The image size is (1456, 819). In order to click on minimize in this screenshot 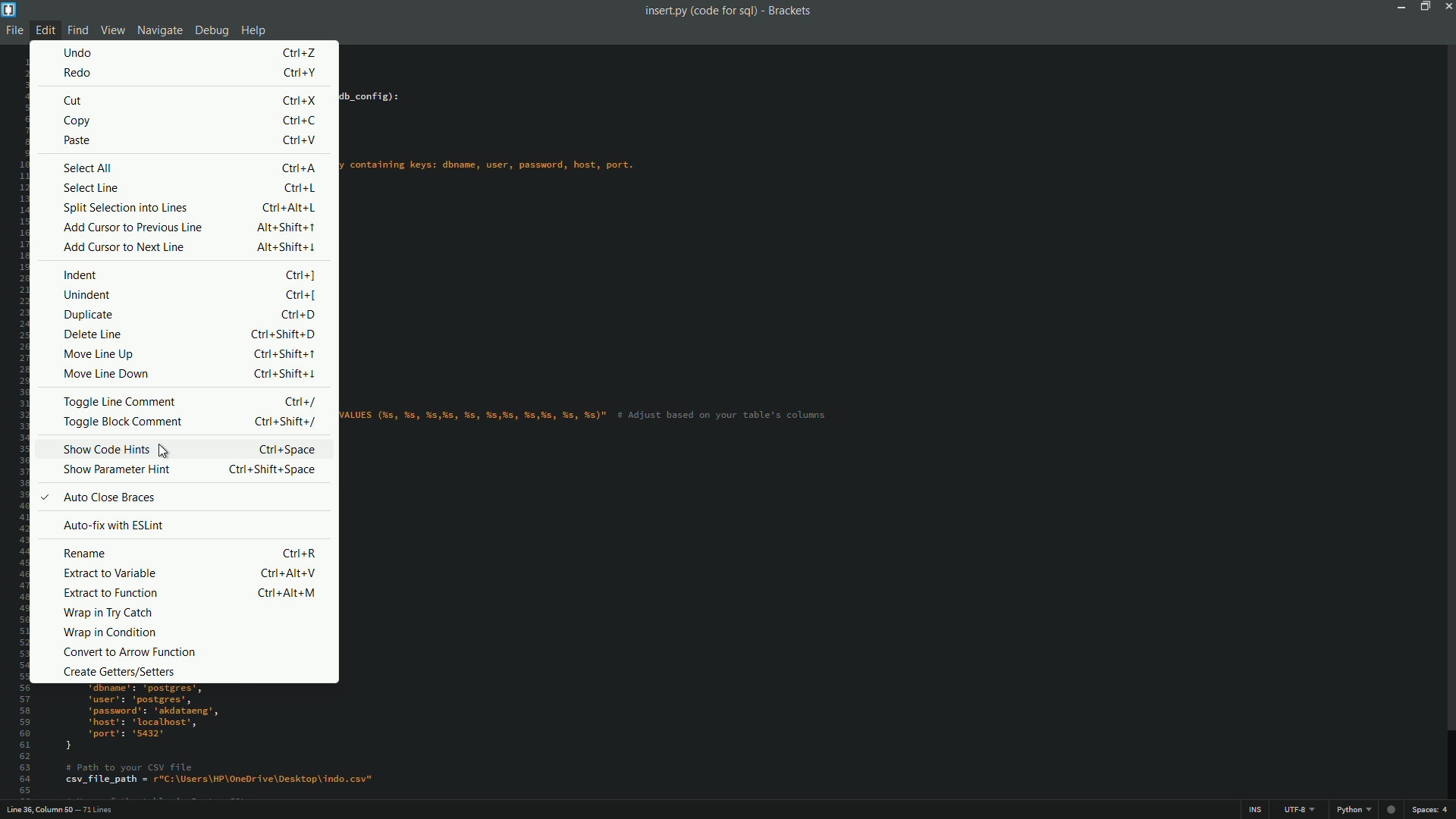, I will do `click(1399, 6)`.